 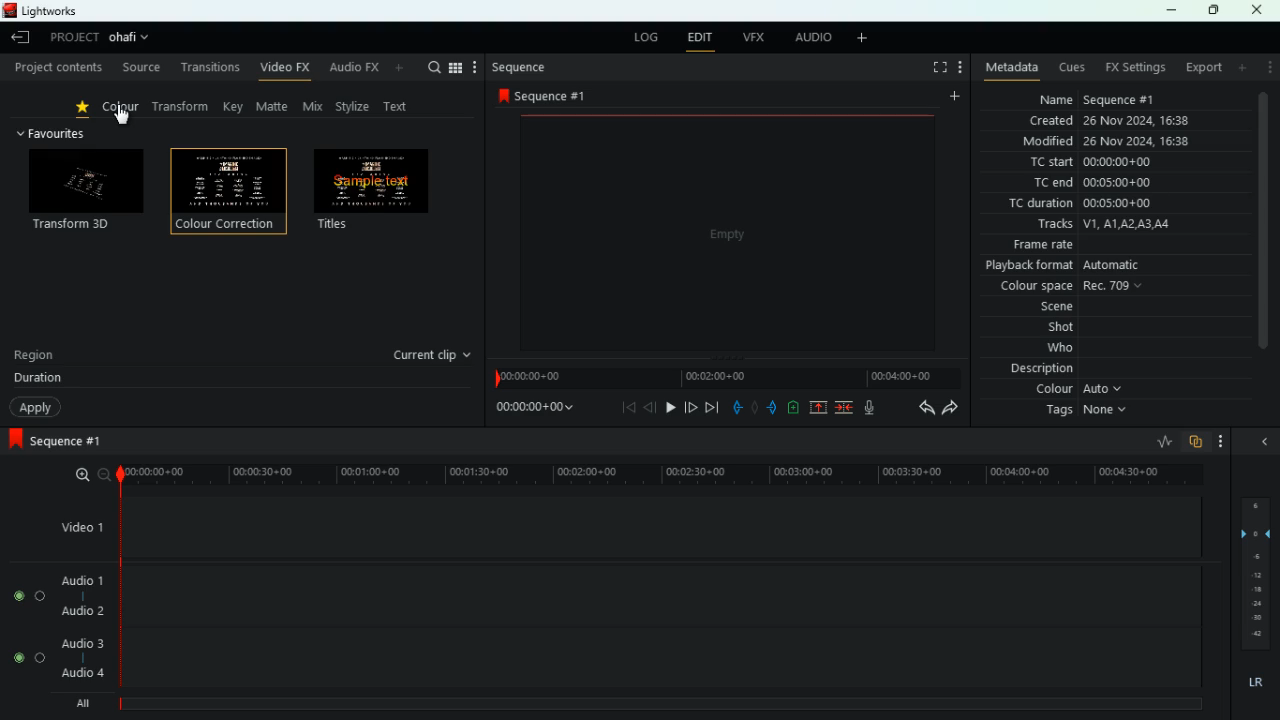 I want to click on image, so click(x=726, y=231).